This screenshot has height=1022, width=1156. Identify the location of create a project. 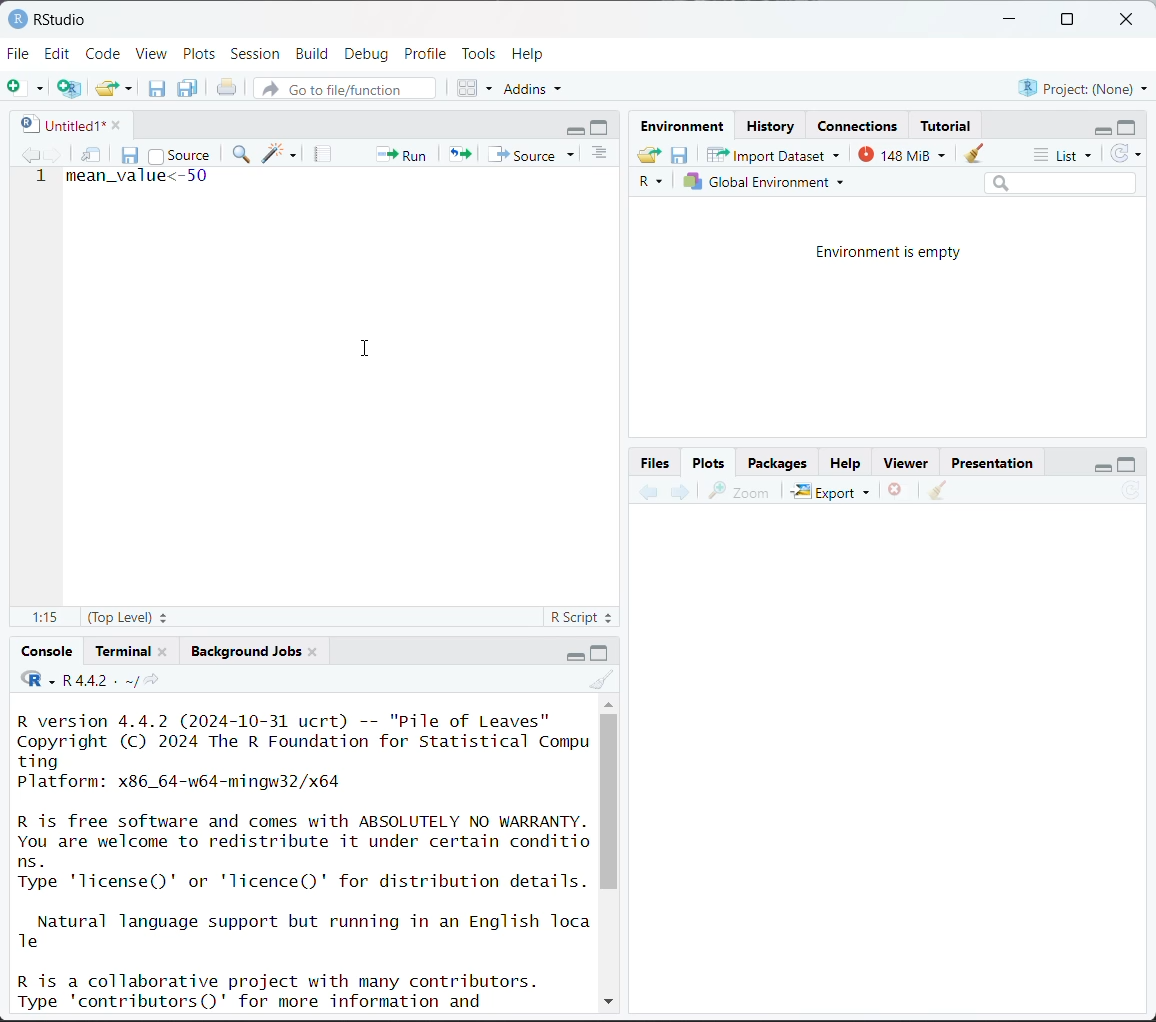
(69, 88).